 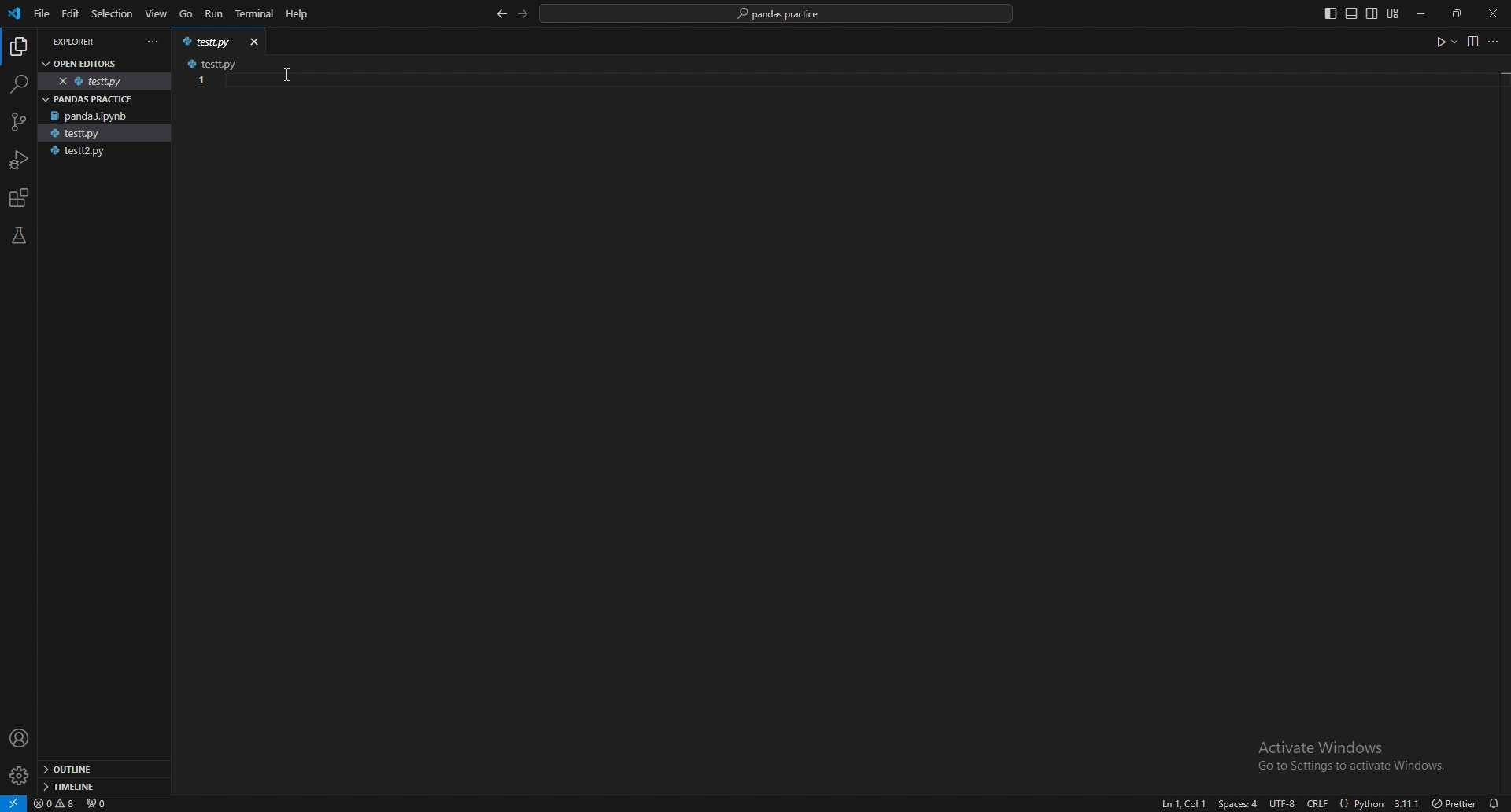 What do you see at coordinates (1454, 802) in the screenshot?
I see `) Prettier` at bounding box center [1454, 802].